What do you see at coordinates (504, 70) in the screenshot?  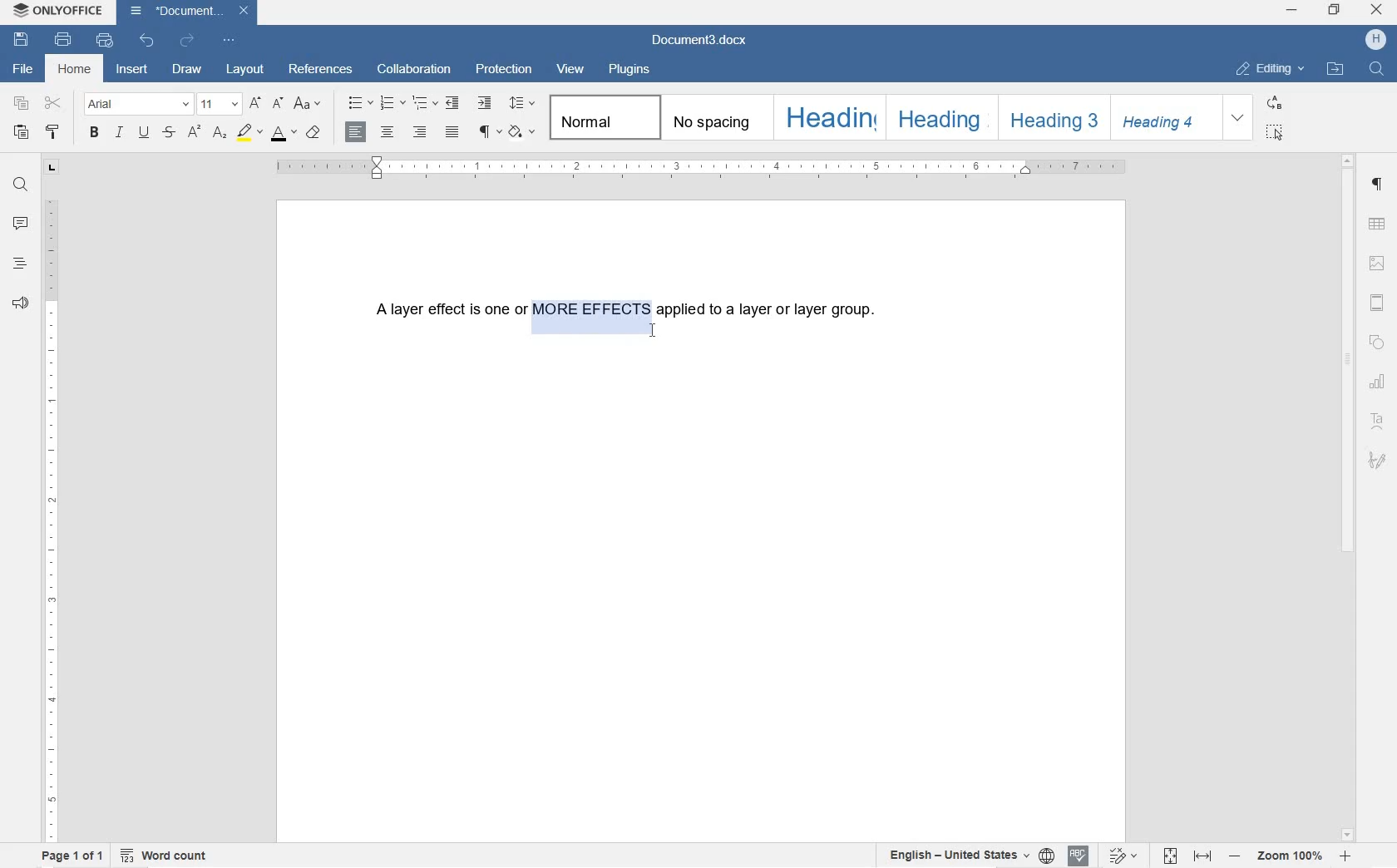 I see `PROTECTION` at bounding box center [504, 70].